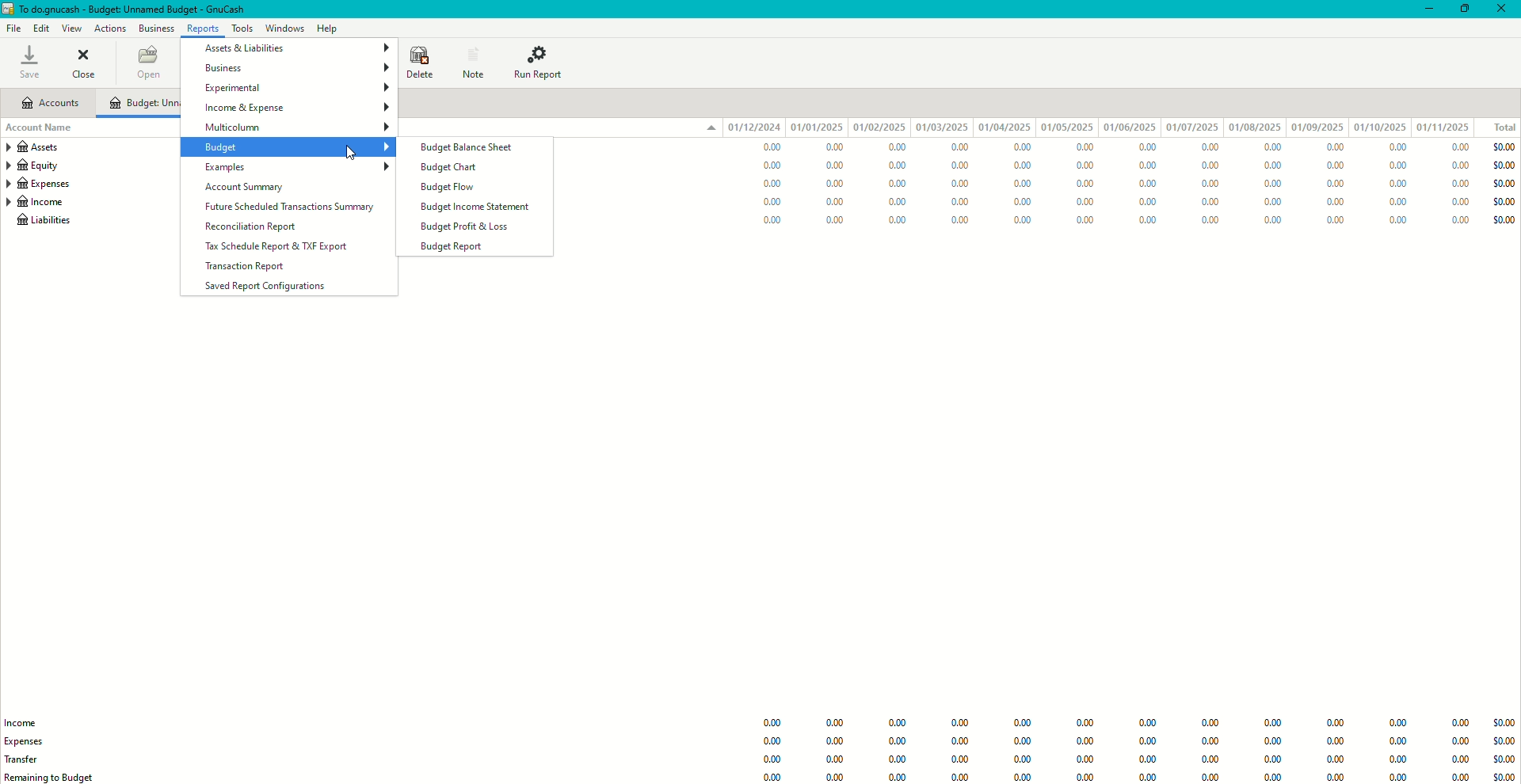 The width and height of the screenshot is (1521, 784). What do you see at coordinates (1459, 744) in the screenshot?
I see `0.00` at bounding box center [1459, 744].